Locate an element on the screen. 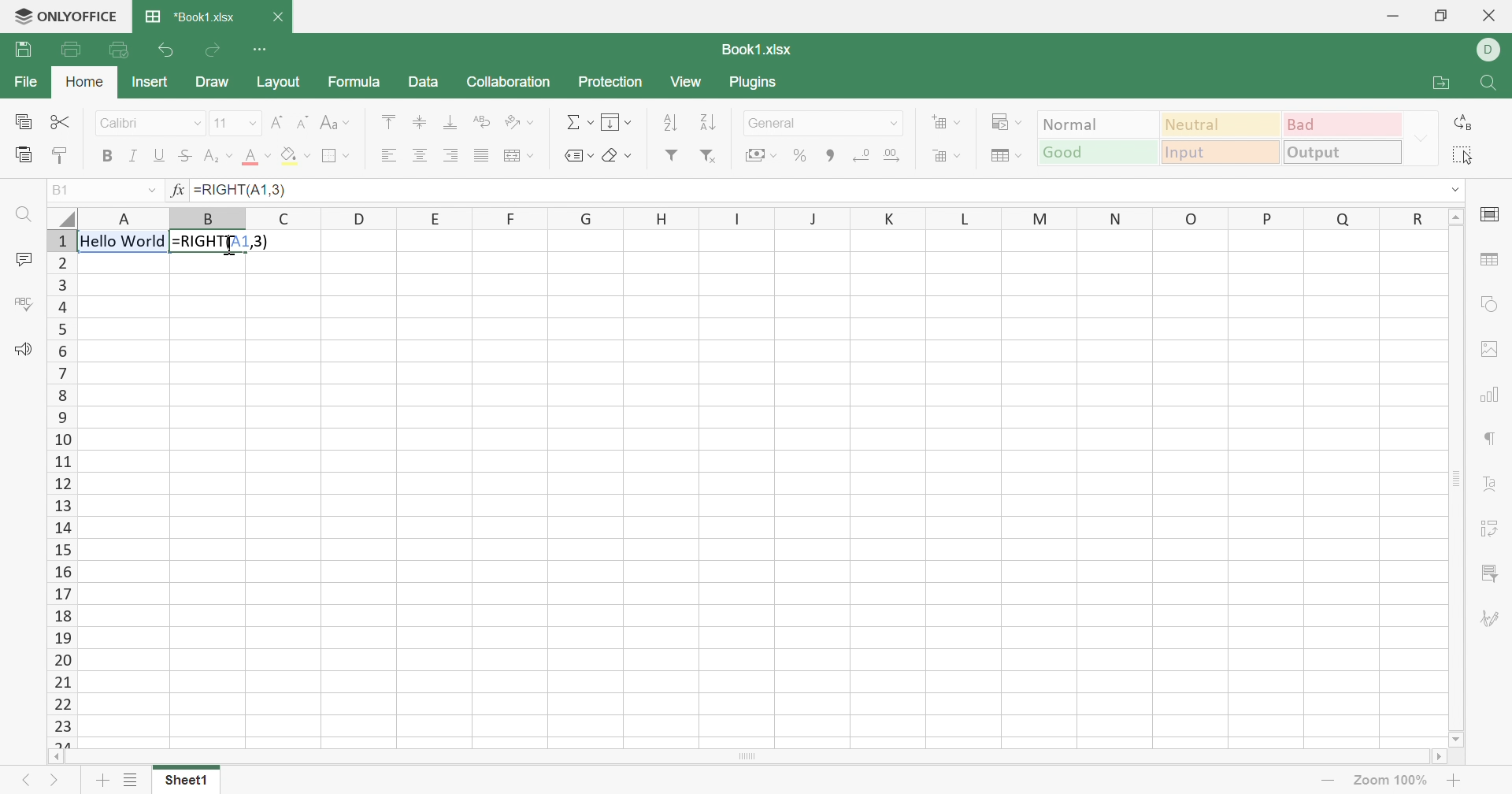 This screenshot has width=1512, height=794. Zoom out is located at coordinates (1327, 777).